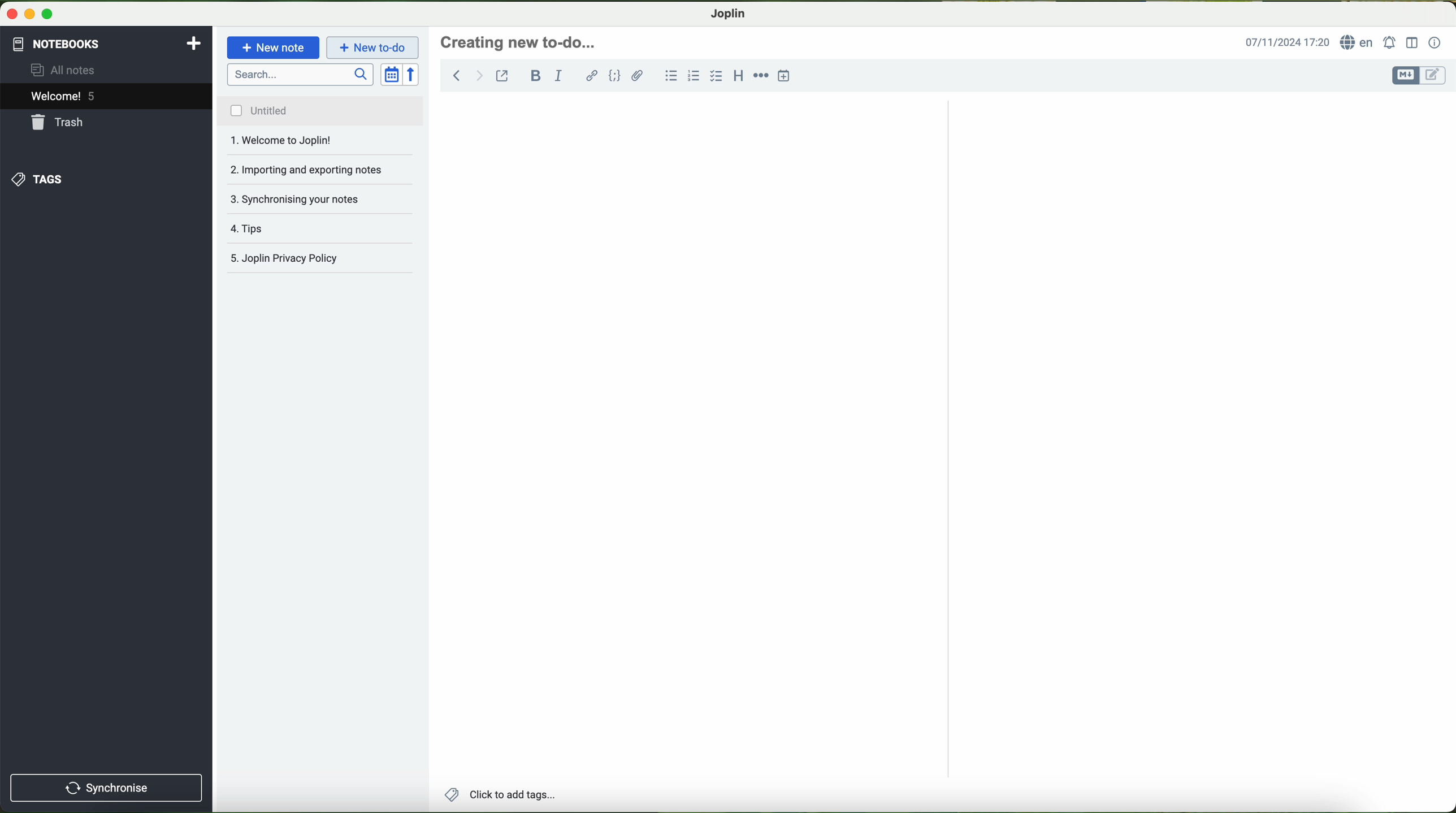  I want to click on add, so click(194, 42).